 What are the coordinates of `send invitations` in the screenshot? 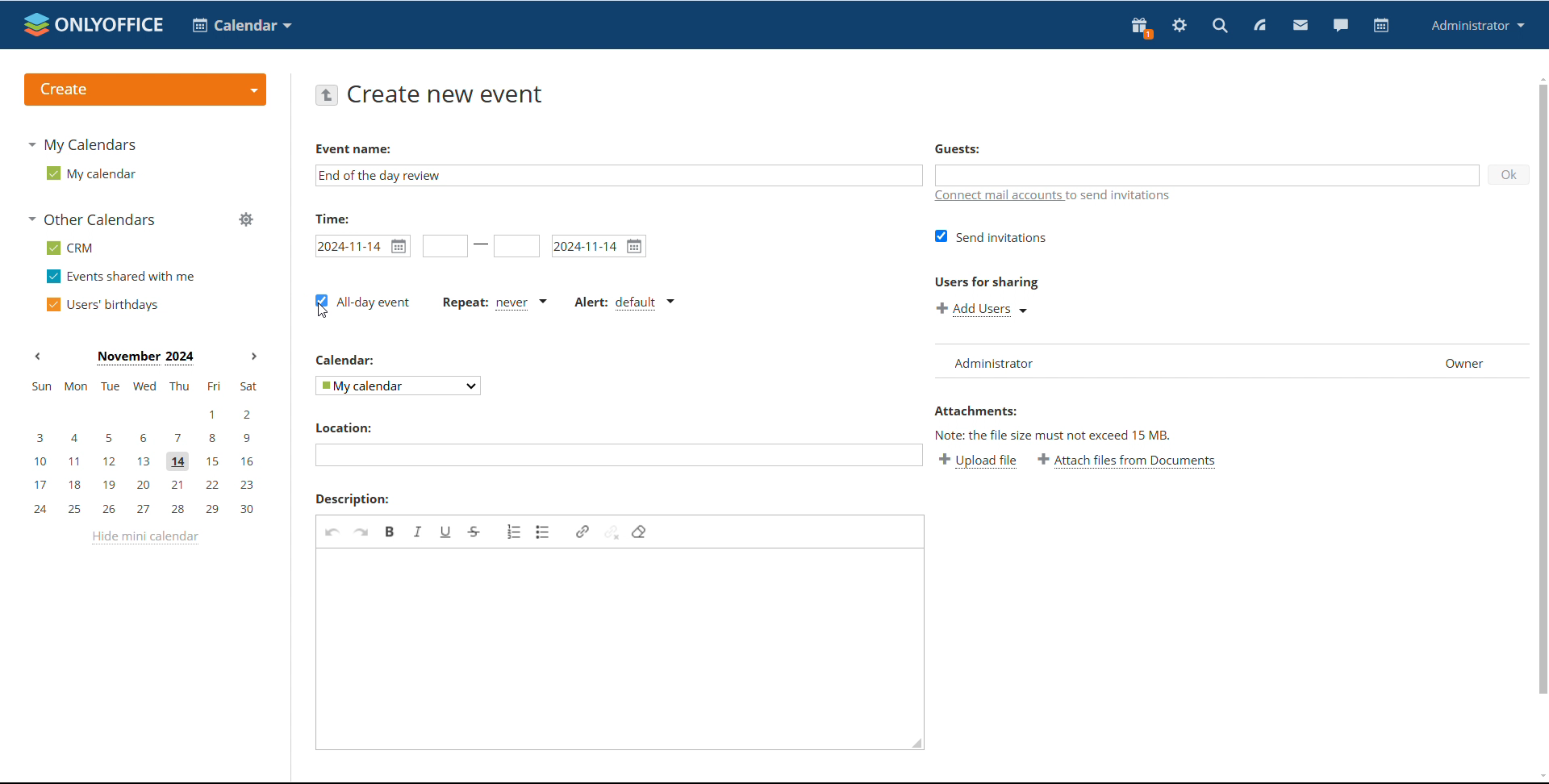 It's located at (992, 236).